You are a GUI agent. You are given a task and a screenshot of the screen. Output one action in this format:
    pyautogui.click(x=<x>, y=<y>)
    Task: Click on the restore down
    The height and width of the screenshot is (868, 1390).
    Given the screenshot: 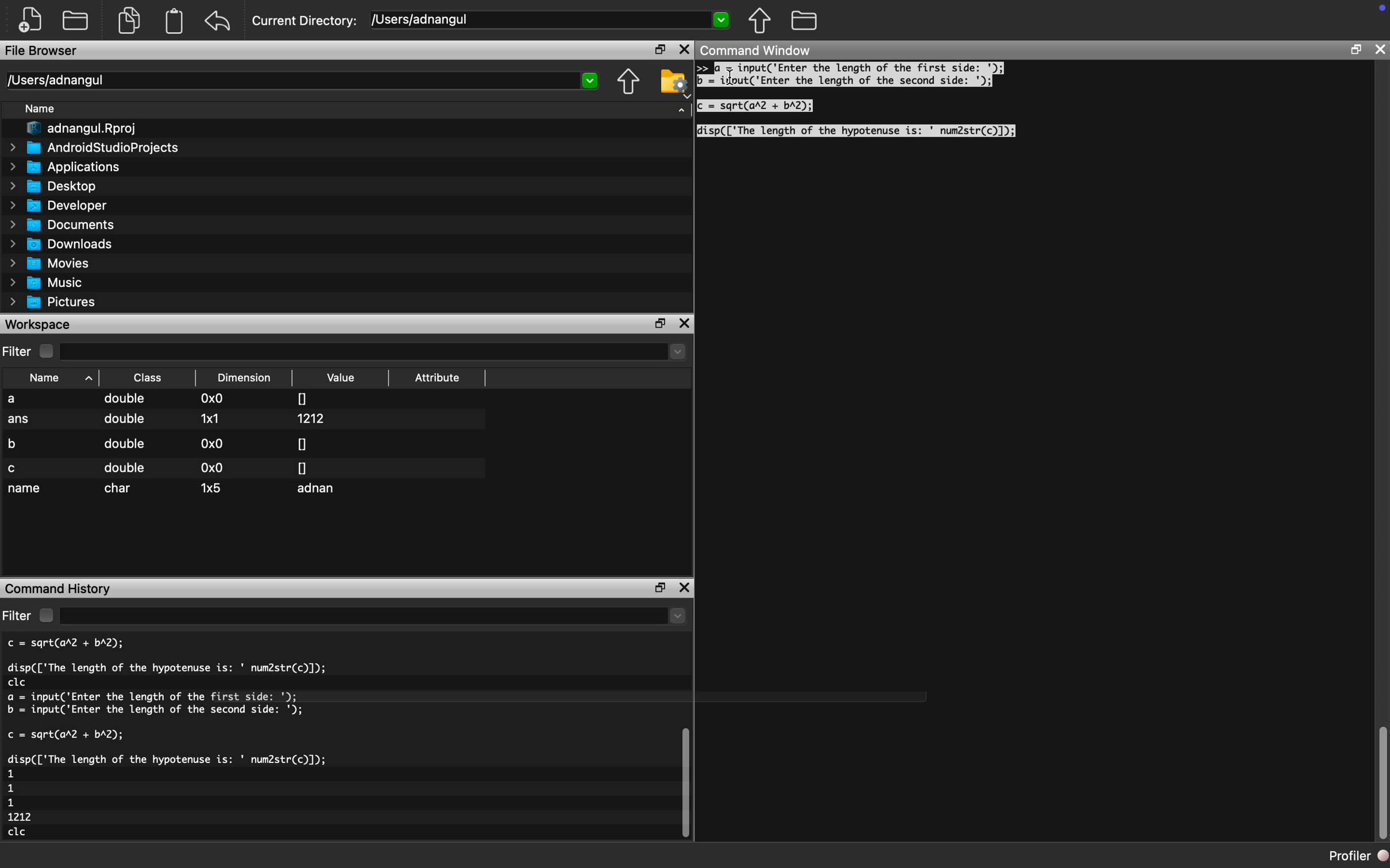 What is the action you would take?
    pyautogui.click(x=655, y=51)
    